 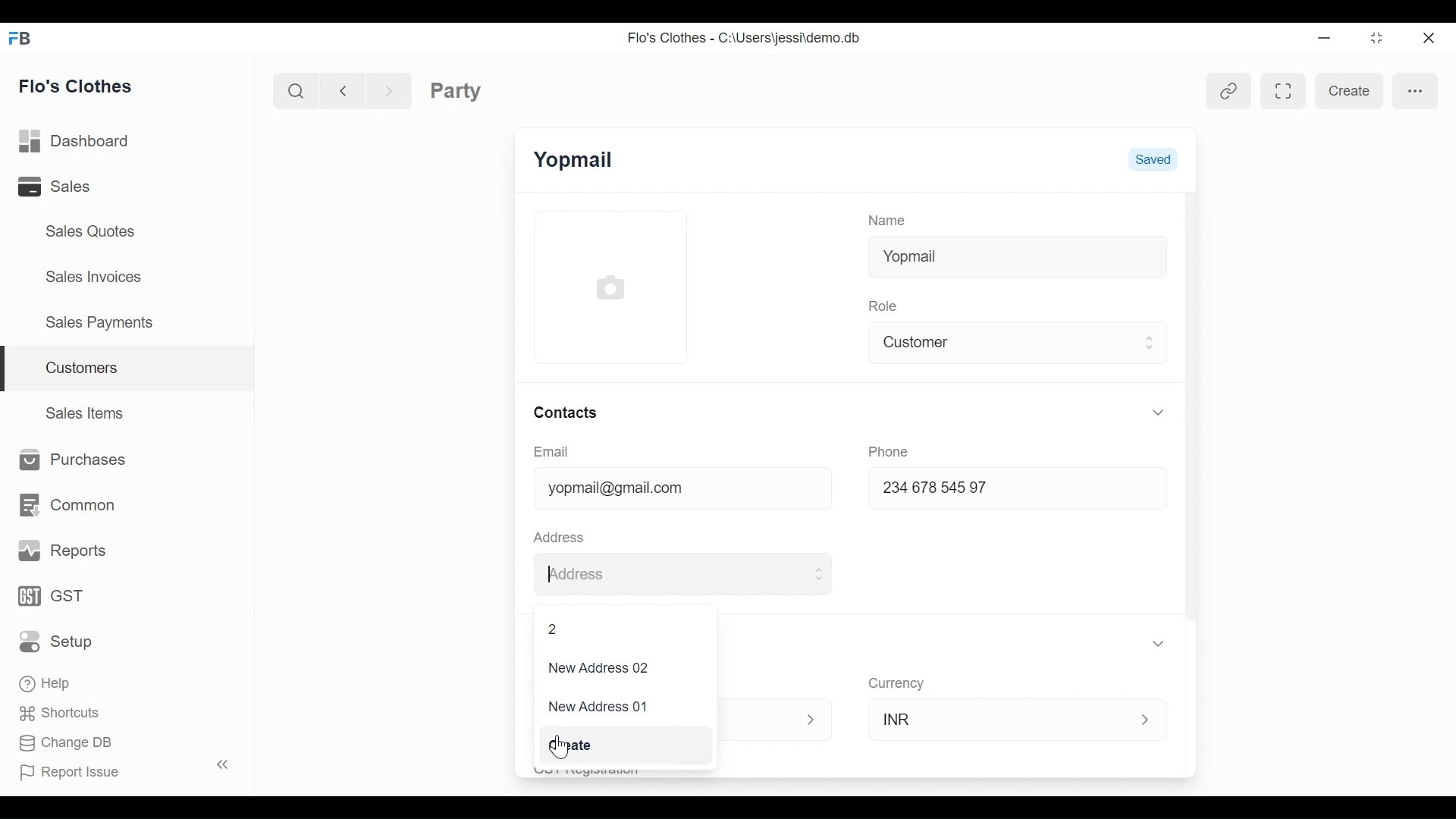 I want to click on Cursor, so click(x=562, y=745).